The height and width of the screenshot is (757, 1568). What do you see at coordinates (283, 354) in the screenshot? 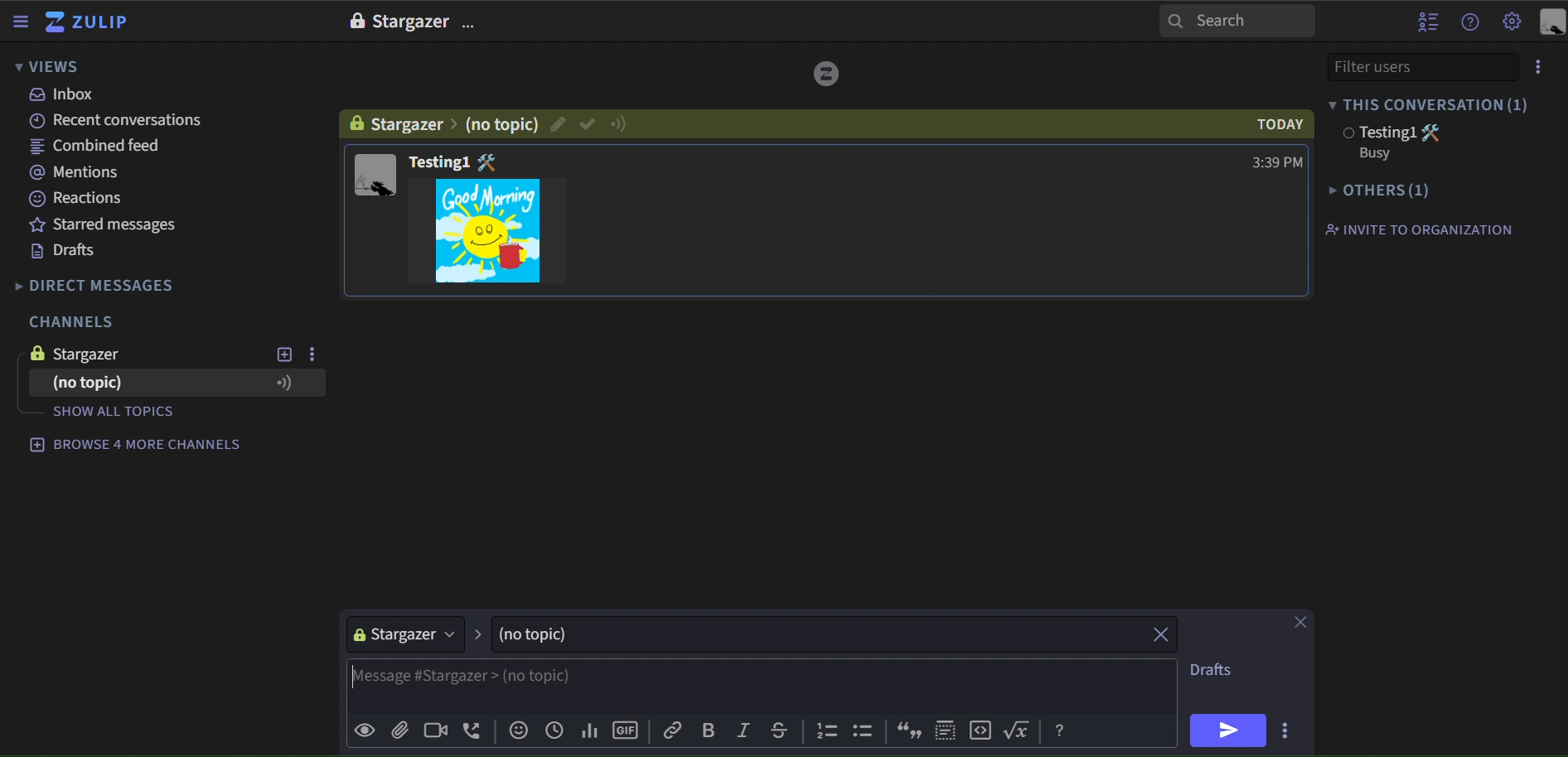
I see `new topic` at bounding box center [283, 354].